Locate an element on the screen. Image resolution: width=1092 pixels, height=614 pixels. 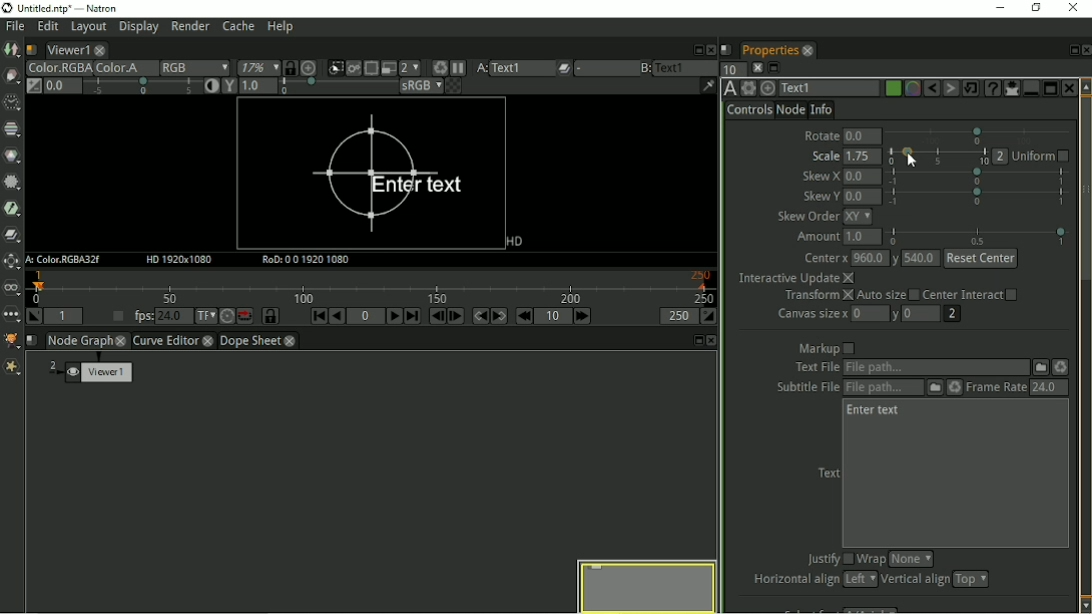
Centers the node is located at coordinates (767, 88).